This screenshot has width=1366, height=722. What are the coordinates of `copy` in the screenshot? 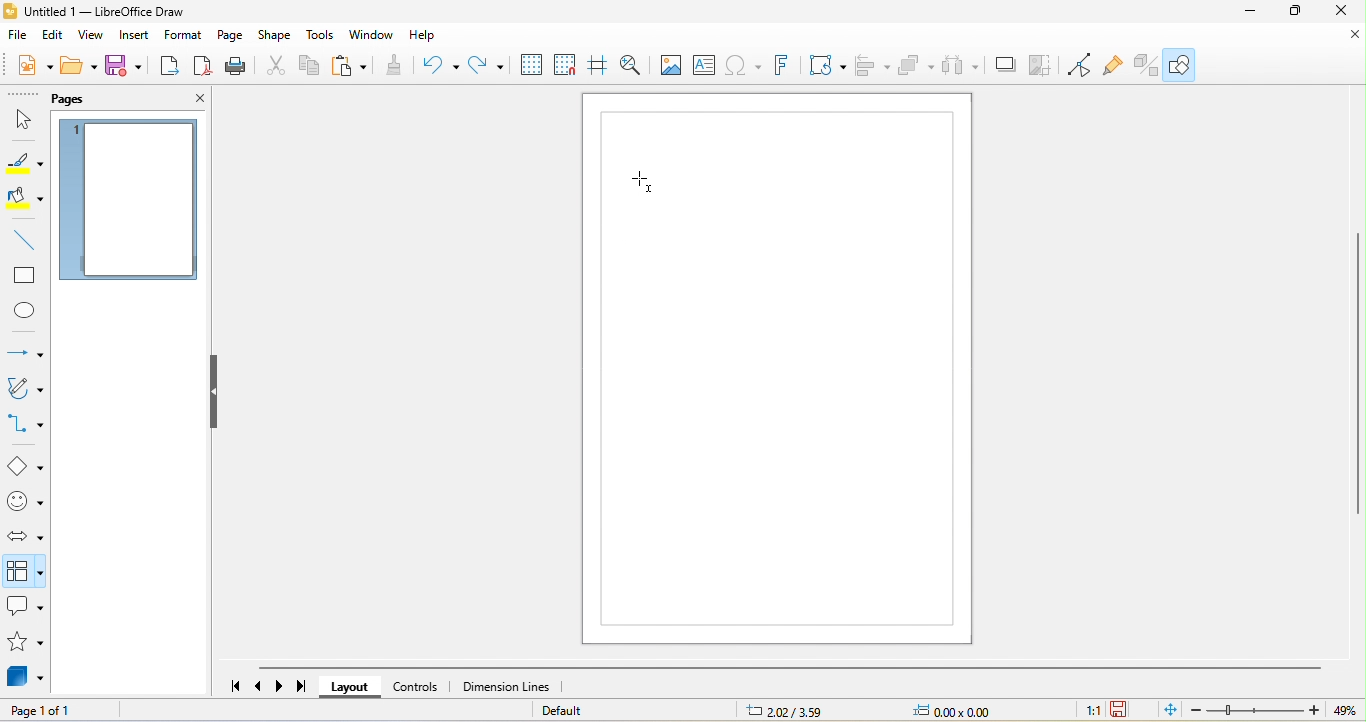 It's located at (310, 68).